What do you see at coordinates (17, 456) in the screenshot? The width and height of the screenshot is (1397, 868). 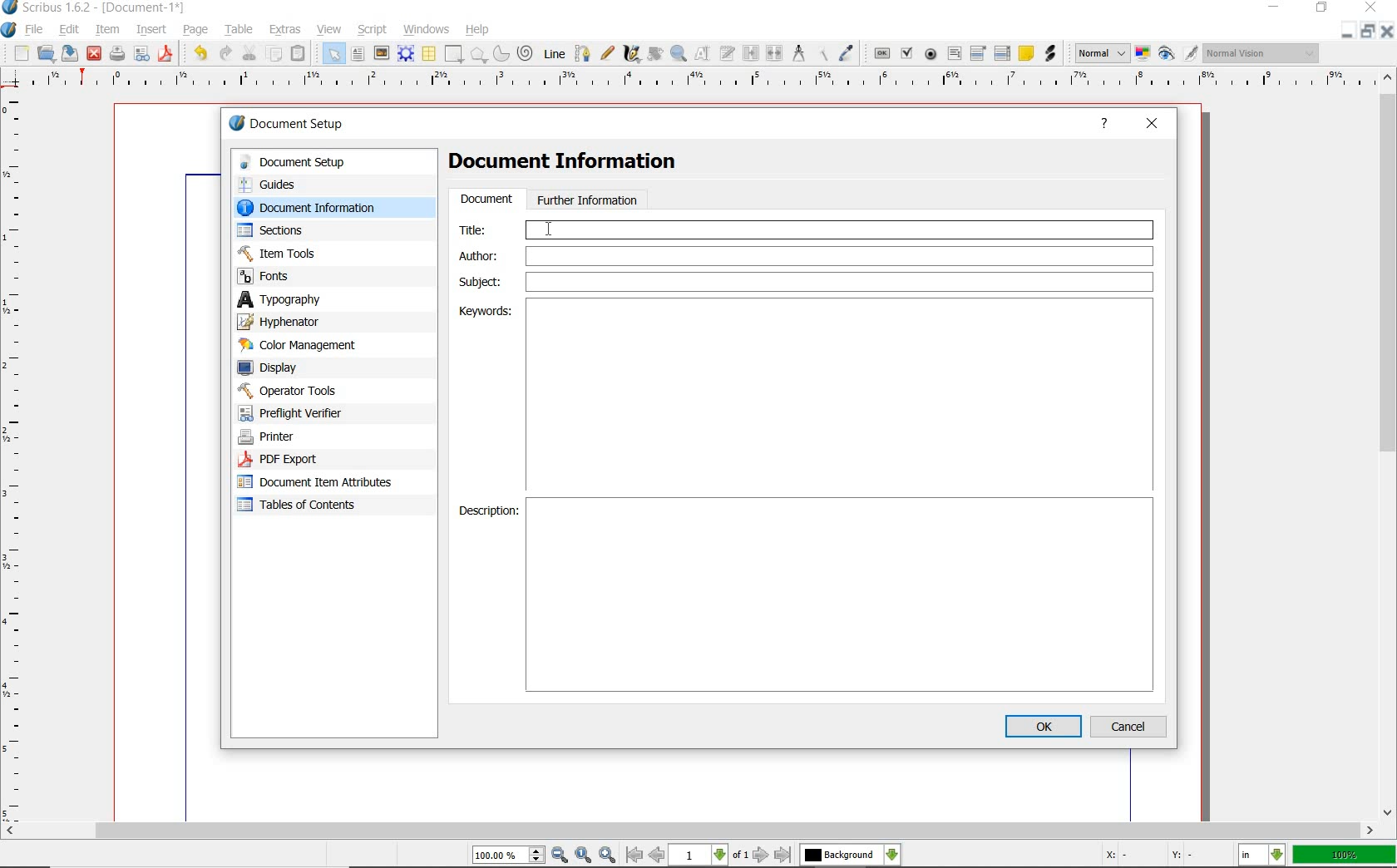 I see `ruler` at bounding box center [17, 456].